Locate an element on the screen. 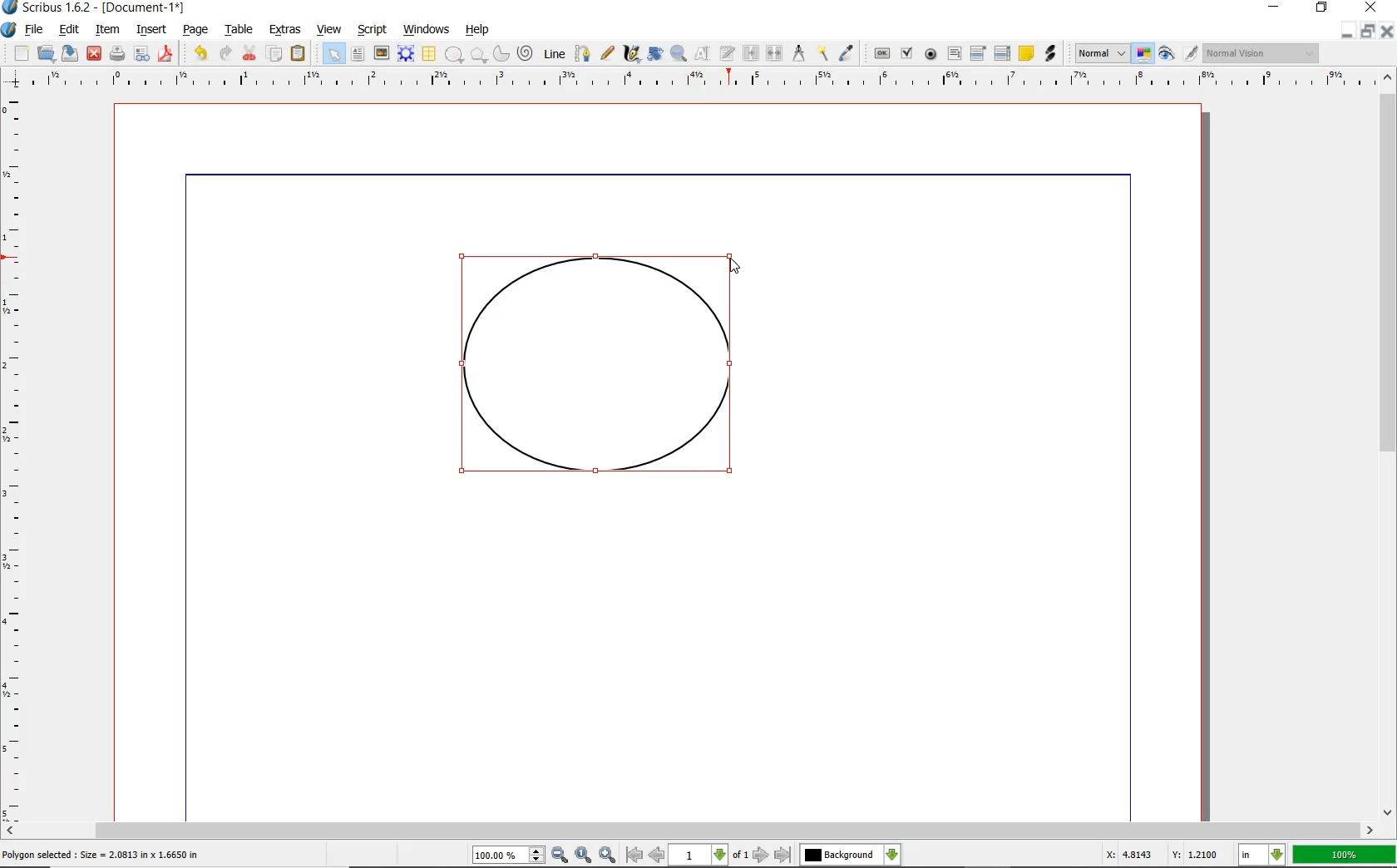  CLOSE is located at coordinates (1369, 7).